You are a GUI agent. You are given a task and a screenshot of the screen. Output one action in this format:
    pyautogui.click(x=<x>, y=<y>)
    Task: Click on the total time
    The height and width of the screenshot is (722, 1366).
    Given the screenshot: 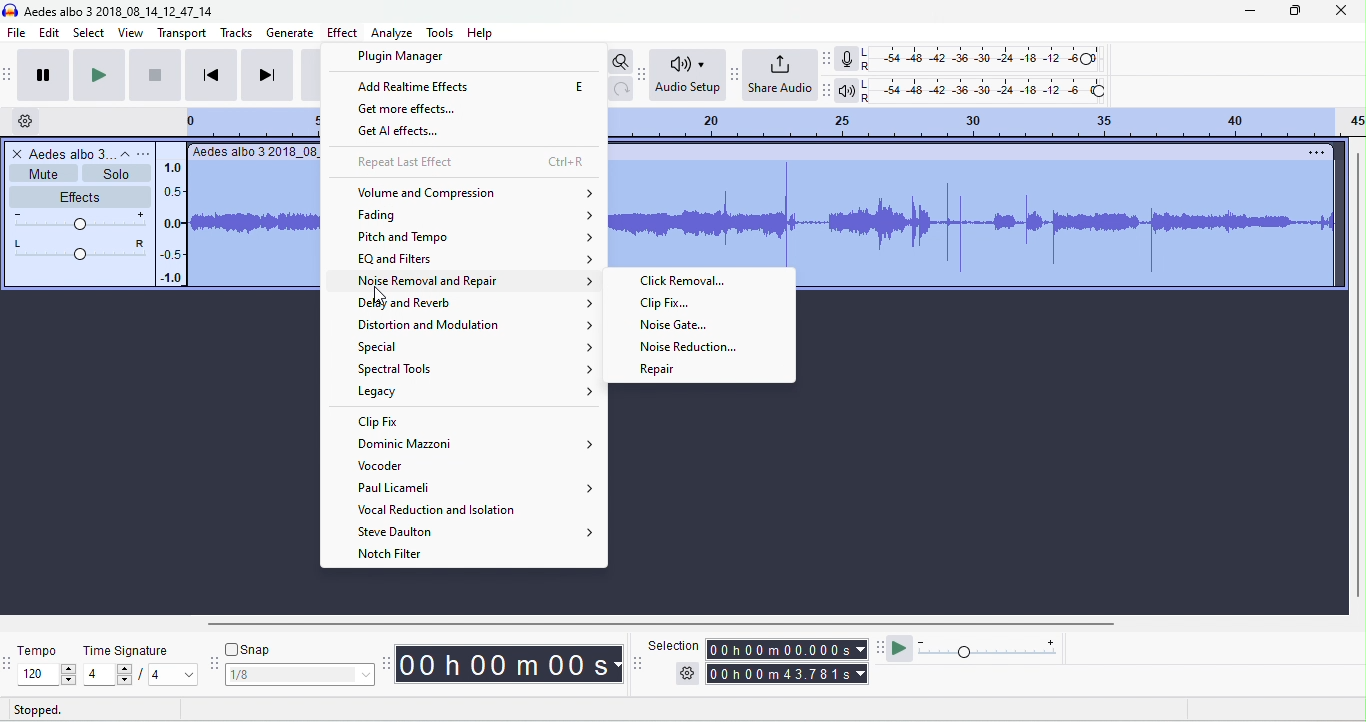 What is the action you would take?
    pyautogui.click(x=785, y=674)
    